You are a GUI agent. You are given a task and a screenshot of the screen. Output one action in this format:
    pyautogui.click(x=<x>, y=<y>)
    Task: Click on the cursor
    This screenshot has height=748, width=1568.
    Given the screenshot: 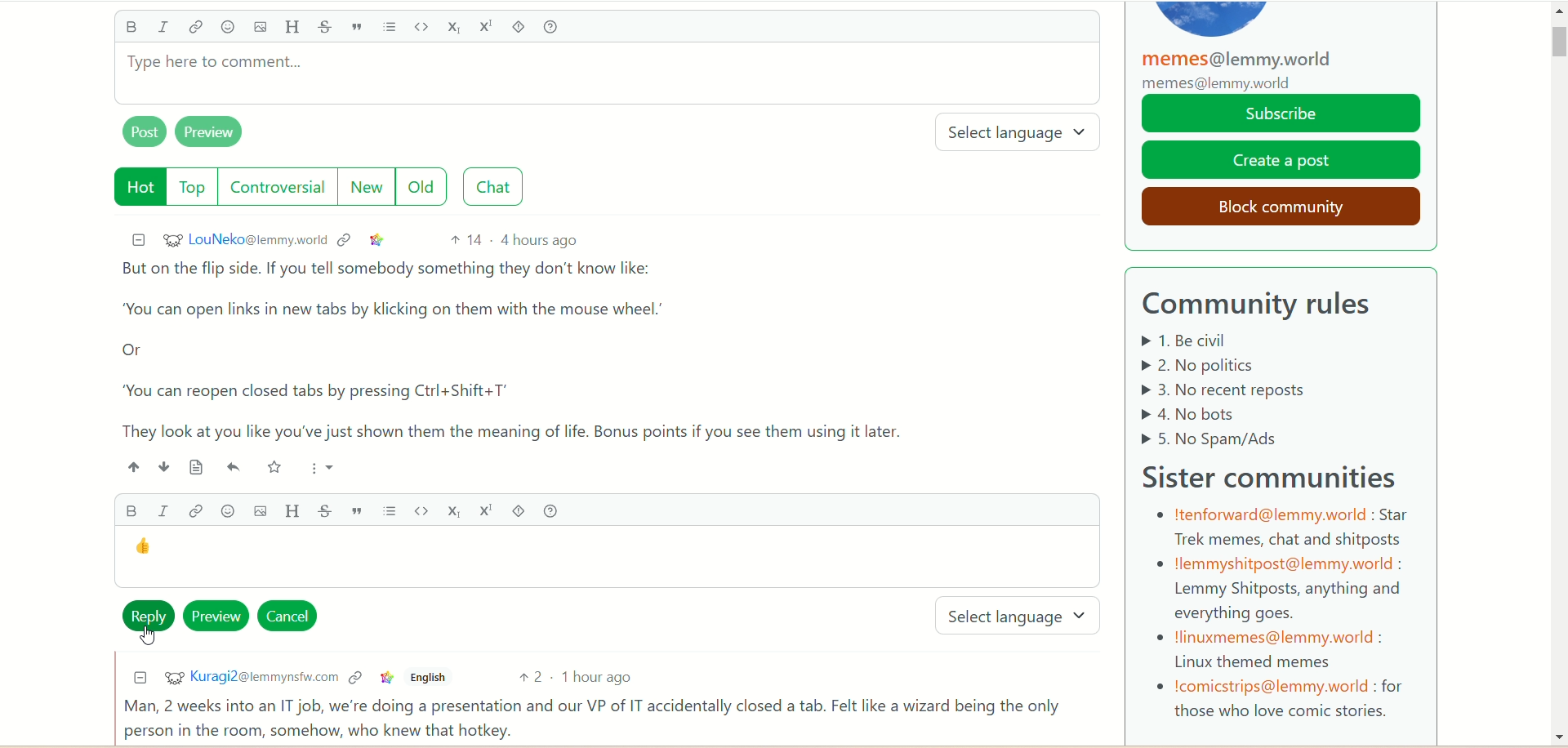 What is the action you would take?
    pyautogui.click(x=146, y=637)
    